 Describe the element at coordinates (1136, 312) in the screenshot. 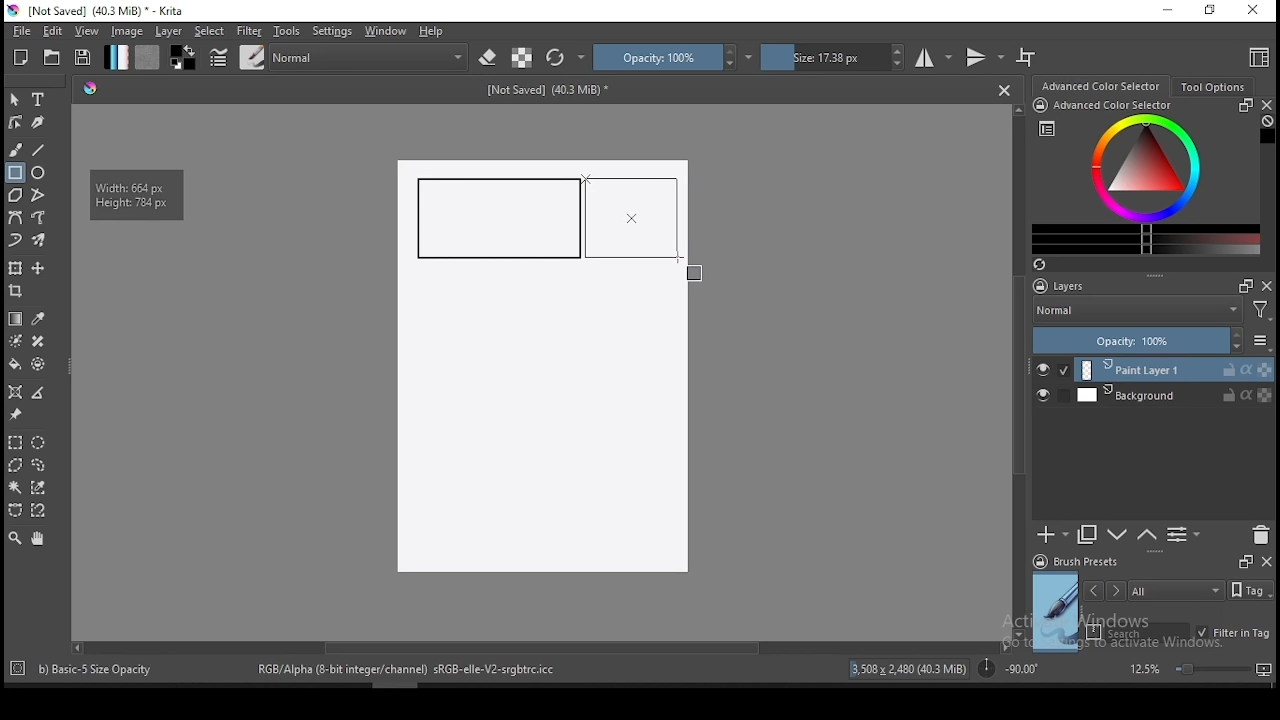

I see `blending mode` at that location.